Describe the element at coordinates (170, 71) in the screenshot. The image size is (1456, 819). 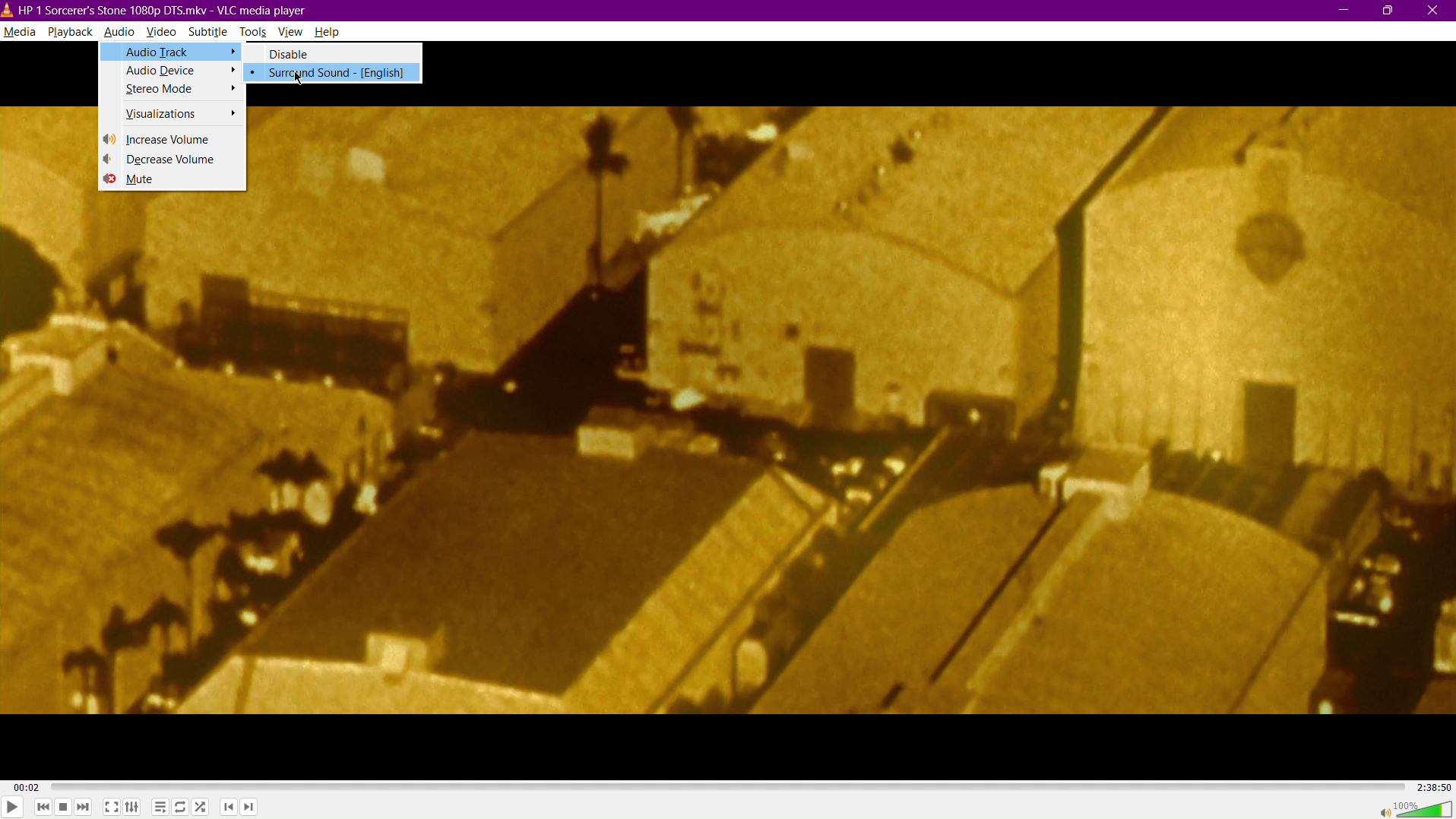
I see `Audio Device` at that location.